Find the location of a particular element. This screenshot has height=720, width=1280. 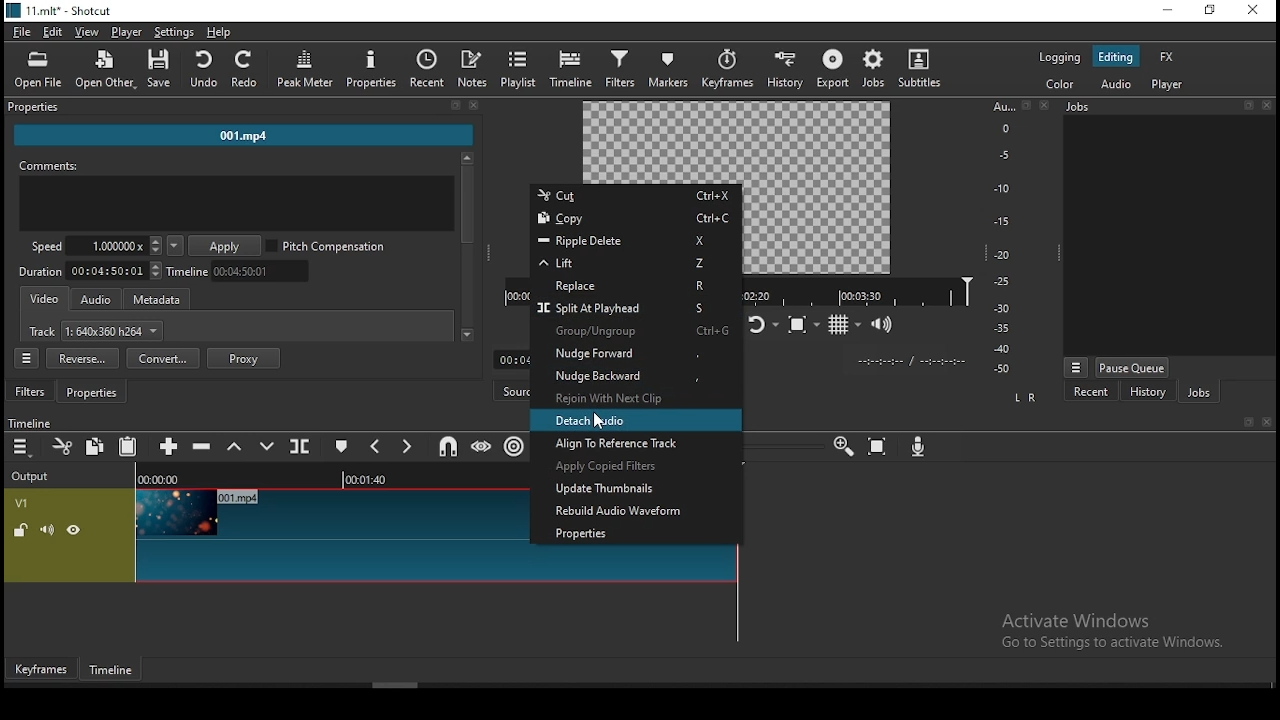

track duration is located at coordinates (91, 272).